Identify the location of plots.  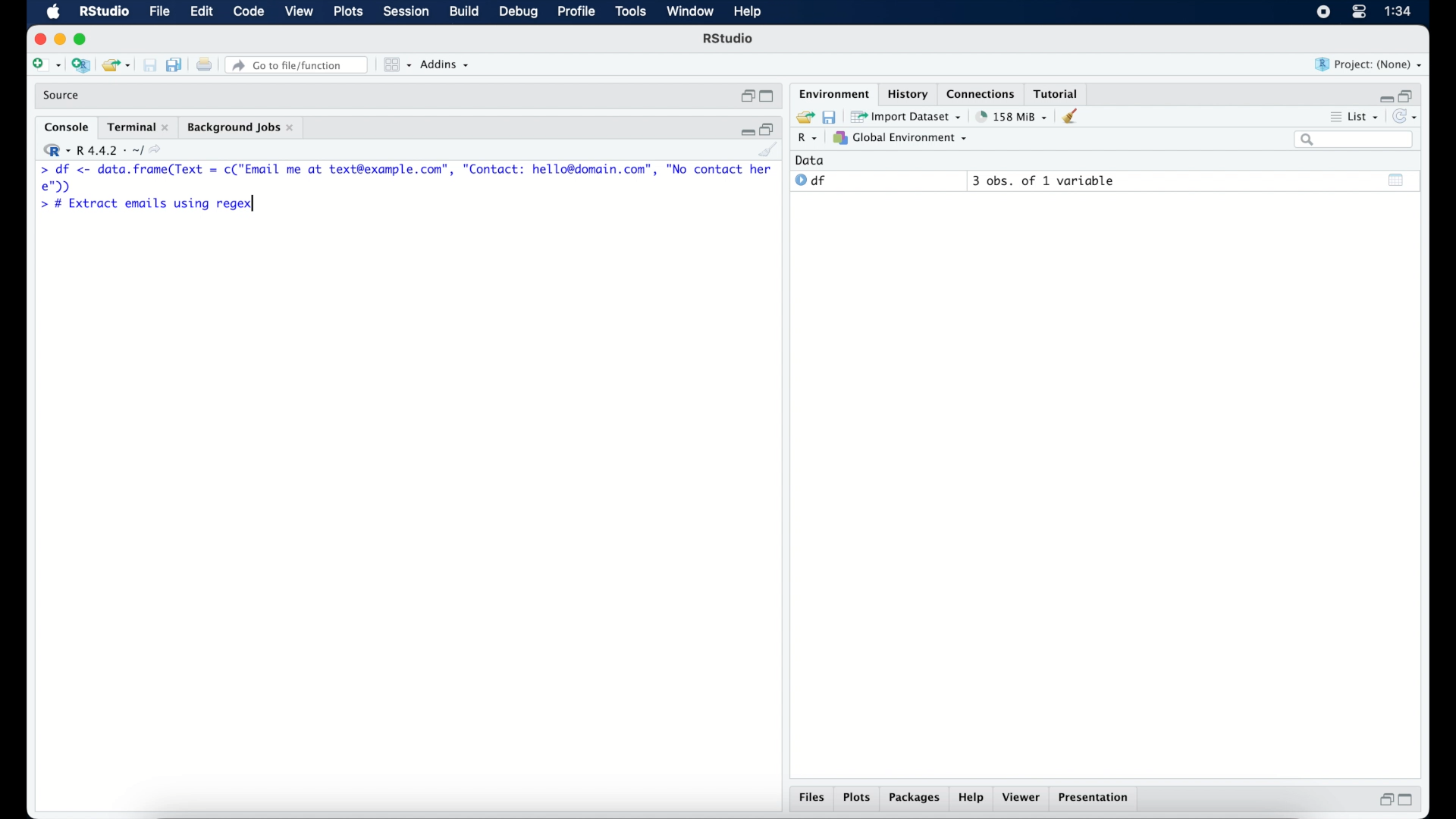
(857, 797).